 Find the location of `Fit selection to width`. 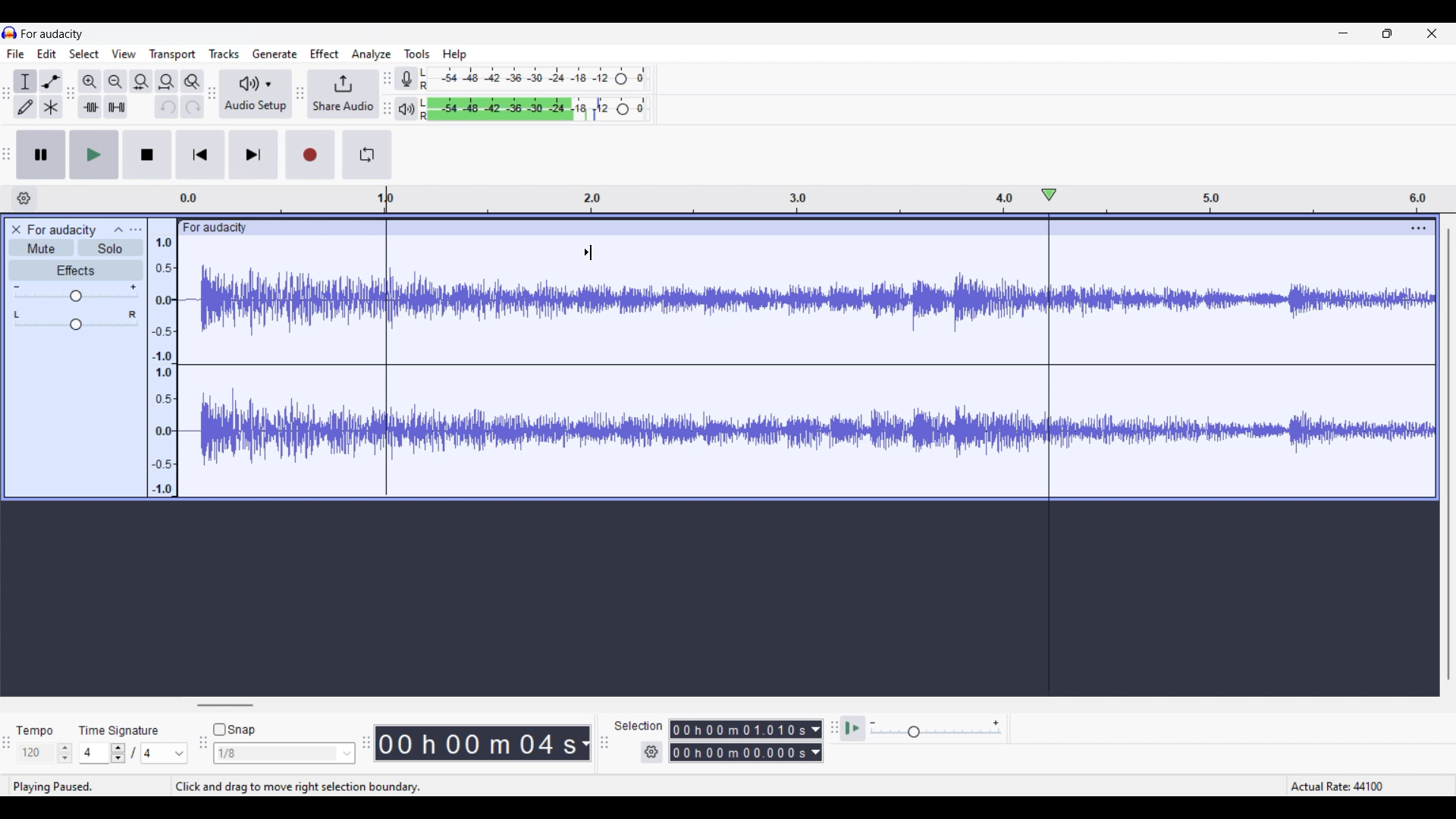

Fit selection to width is located at coordinates (142, 82).